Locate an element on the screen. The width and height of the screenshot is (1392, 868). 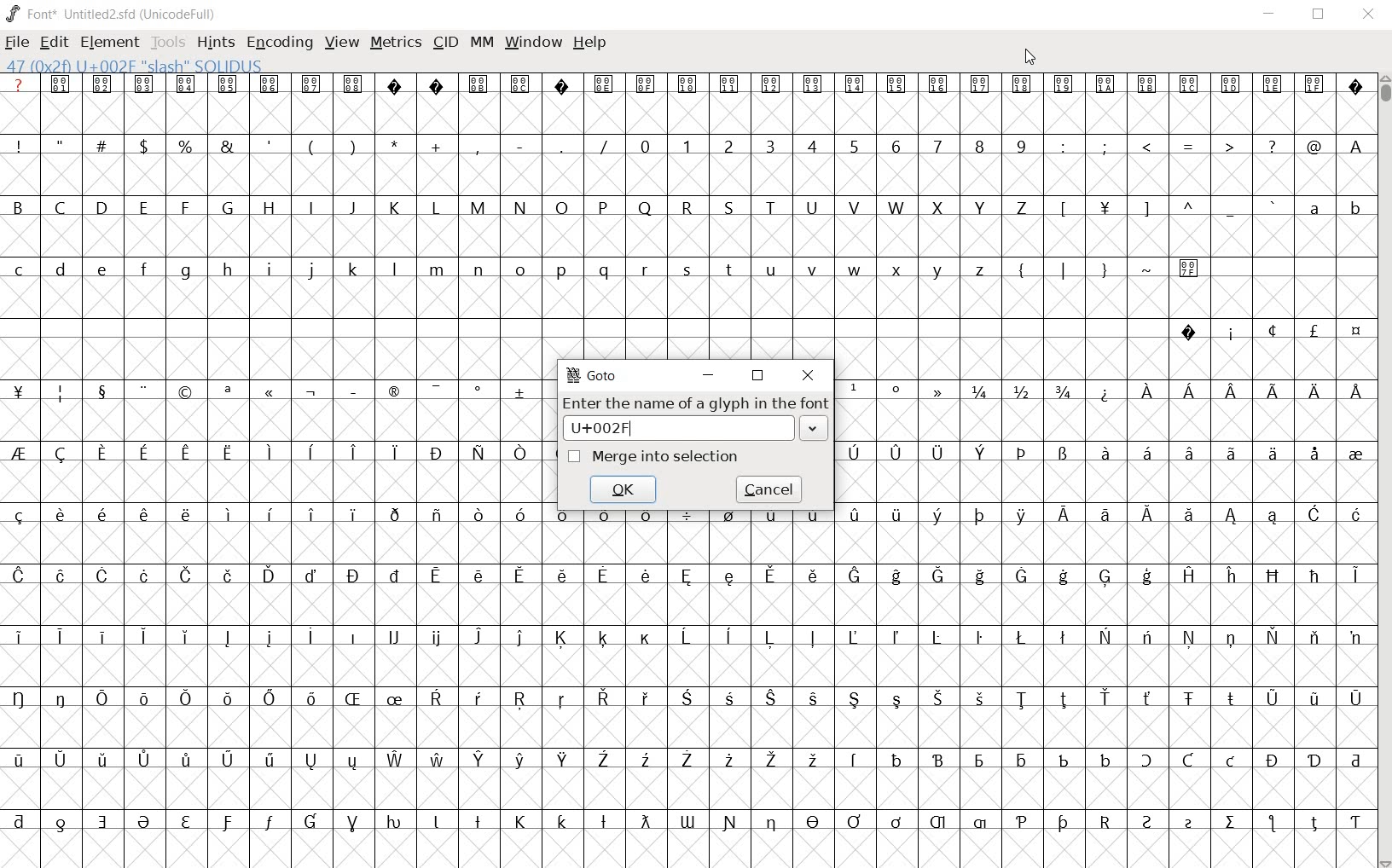
empty cells is located at coordinates (688, 847).